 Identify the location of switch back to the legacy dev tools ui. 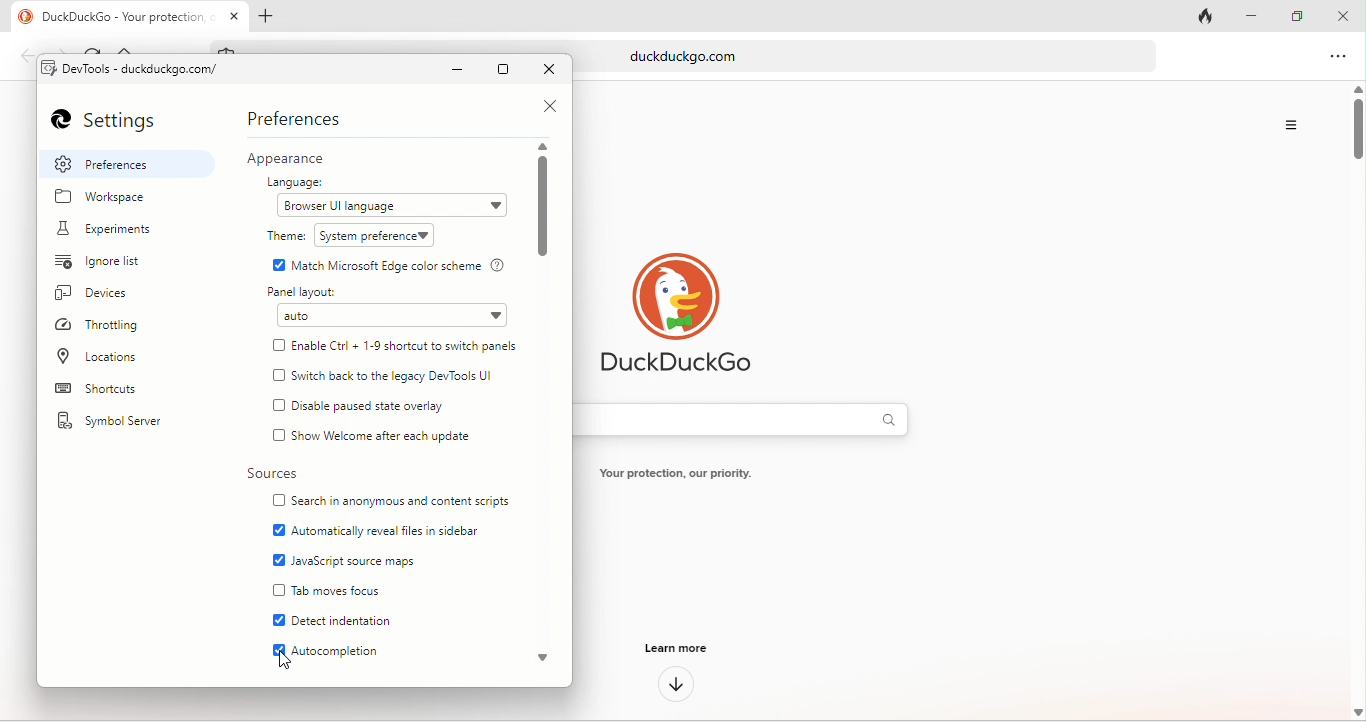
(404, 377).